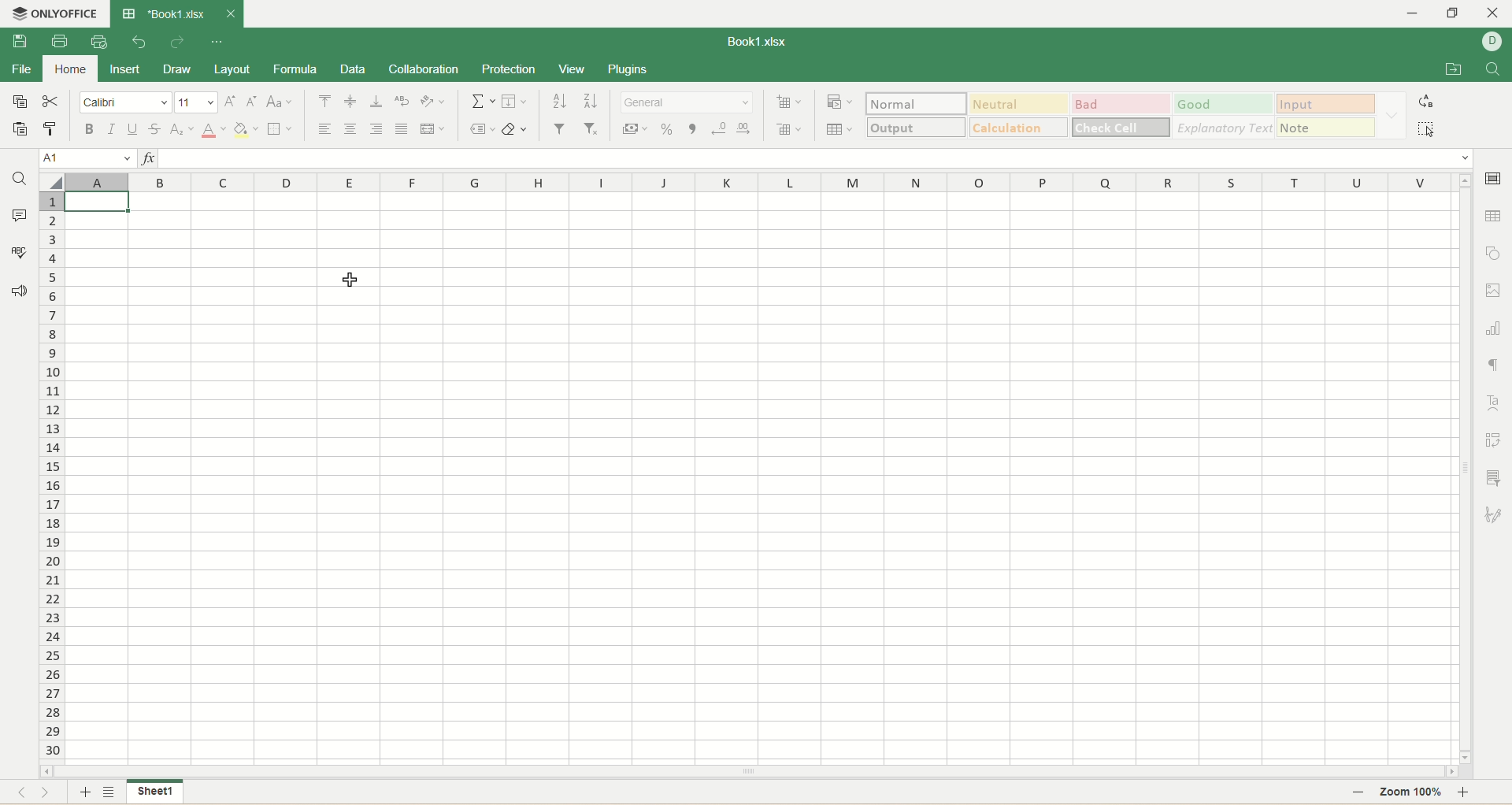  I want to click on change case, so click(280, 102).